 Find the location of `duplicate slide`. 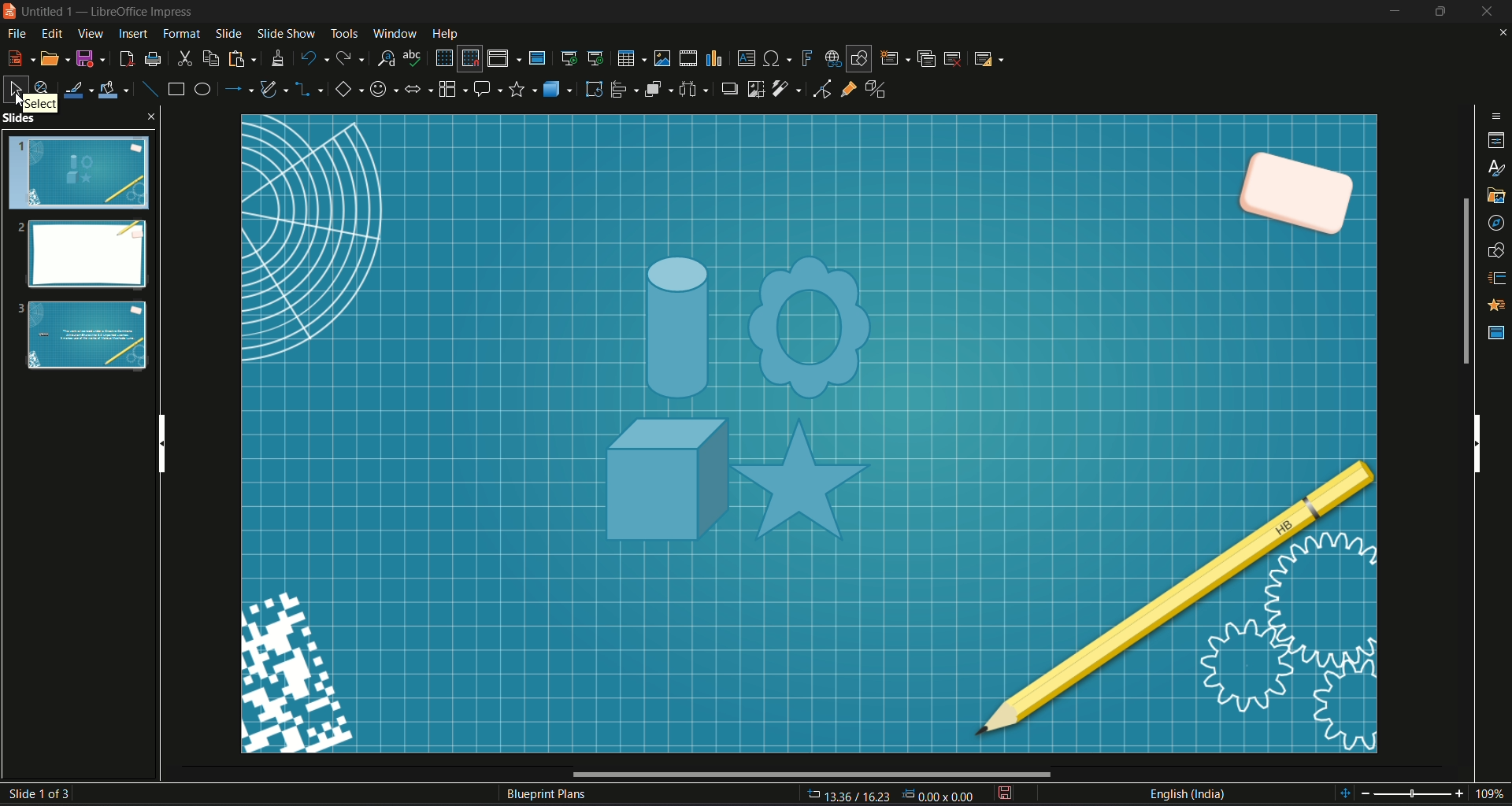

duplicate slide is located at coordinates (927, 58).